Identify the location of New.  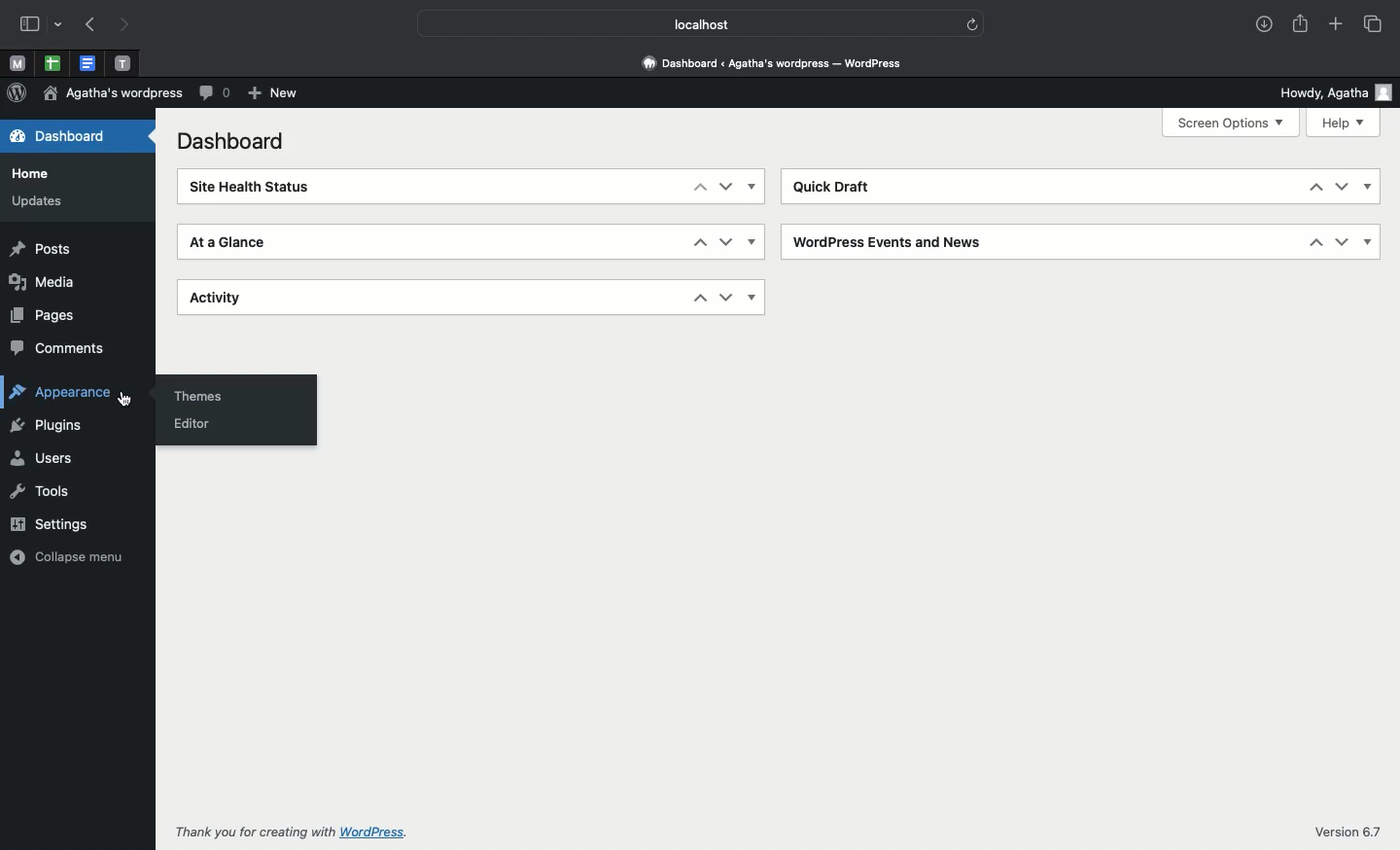
(274, 94).